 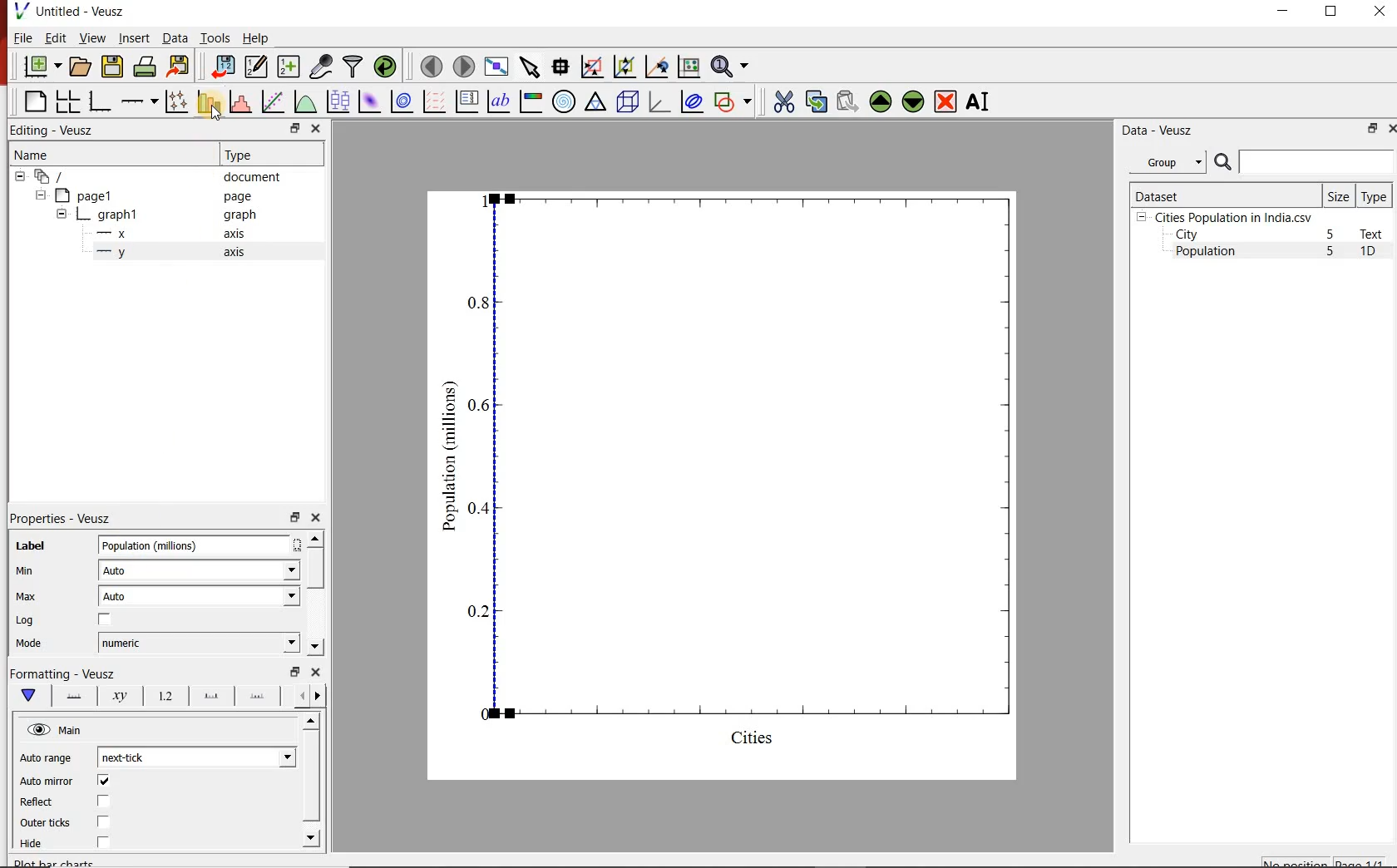 What do you see at coordinates (79, 67) in the screenshot?
I see `open a document` at bounding box center [79, 67].